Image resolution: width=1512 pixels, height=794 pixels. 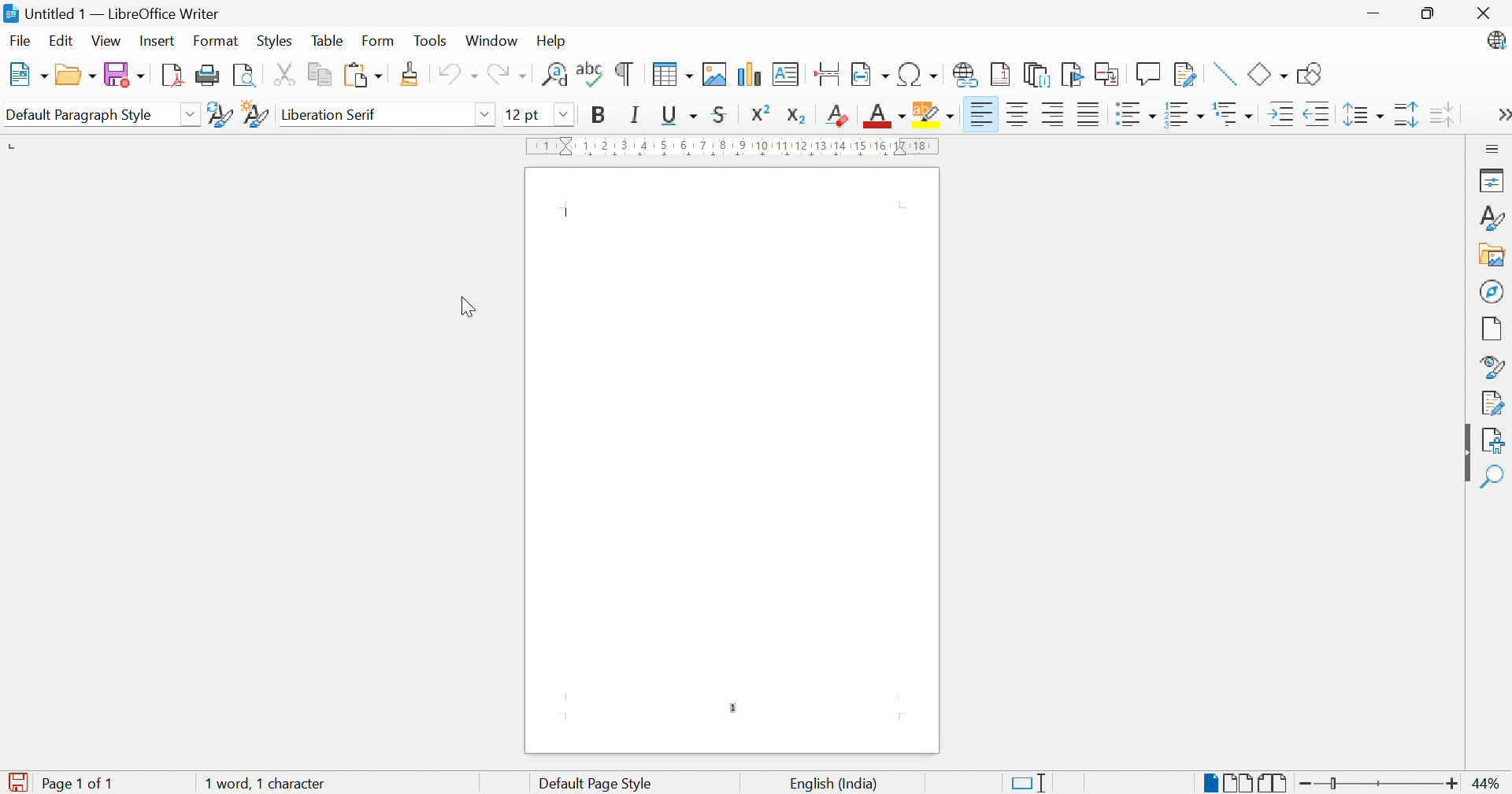 What do you see at coordinates (122, 13) in the screenshot?
I see `Untitled 1 - LibreOffice Writer` at bounding box center [122, 13].